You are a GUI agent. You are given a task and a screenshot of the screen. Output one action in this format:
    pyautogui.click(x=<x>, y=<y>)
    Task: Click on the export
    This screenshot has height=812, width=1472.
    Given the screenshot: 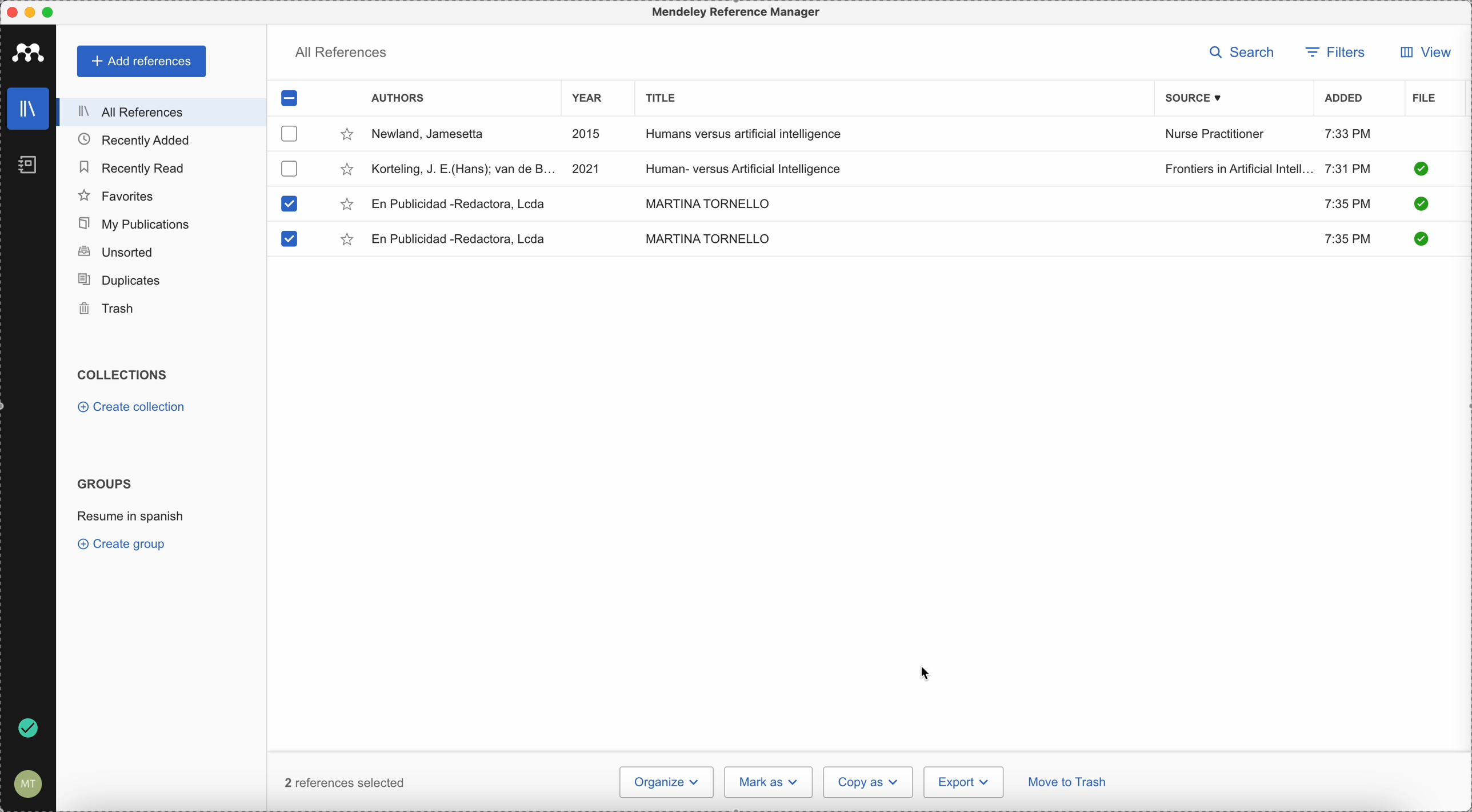 What is the action you would take?
    pyautogui.click(x=963, y=782)
    